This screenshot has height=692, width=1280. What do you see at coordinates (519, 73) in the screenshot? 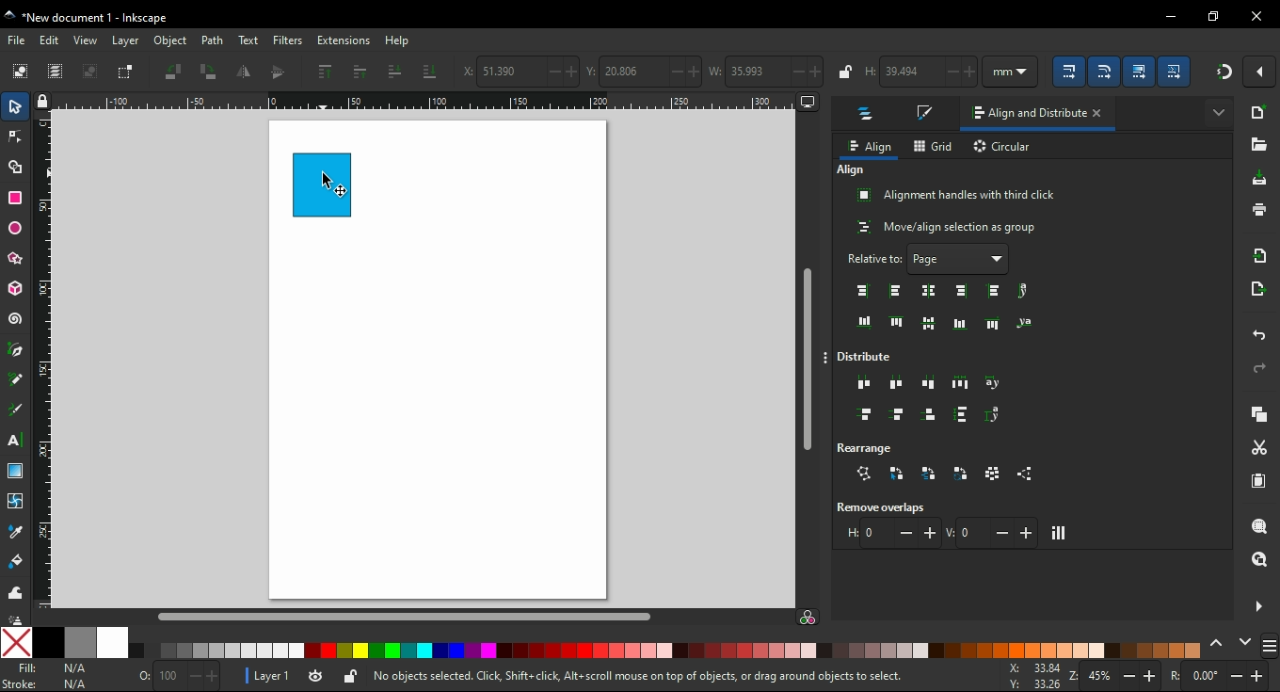
I see `horizontal coordinate of selection` at bounding box center [519, 73].